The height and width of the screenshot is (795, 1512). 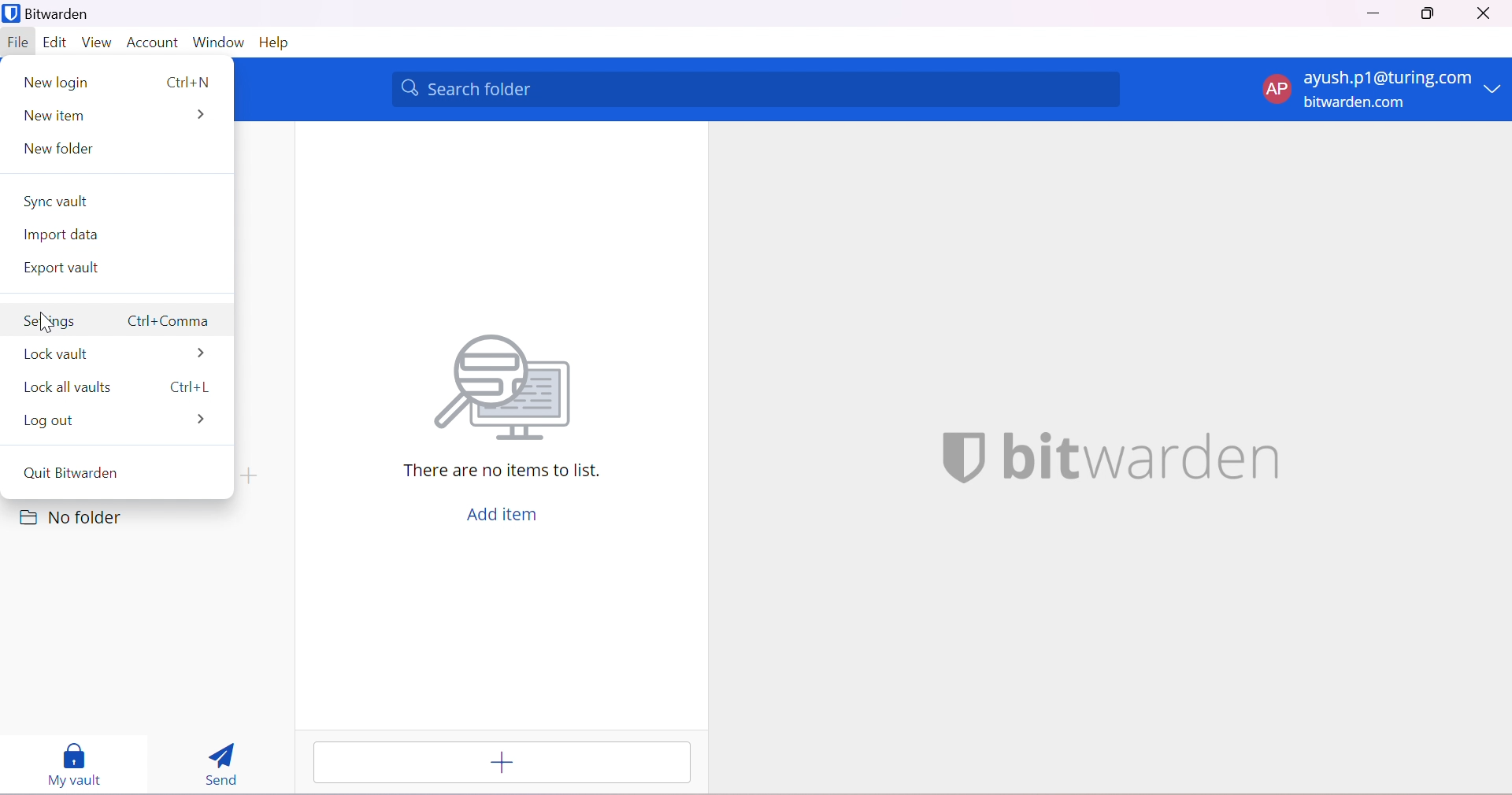 I want to click on Send, so click(x=220, y=764).